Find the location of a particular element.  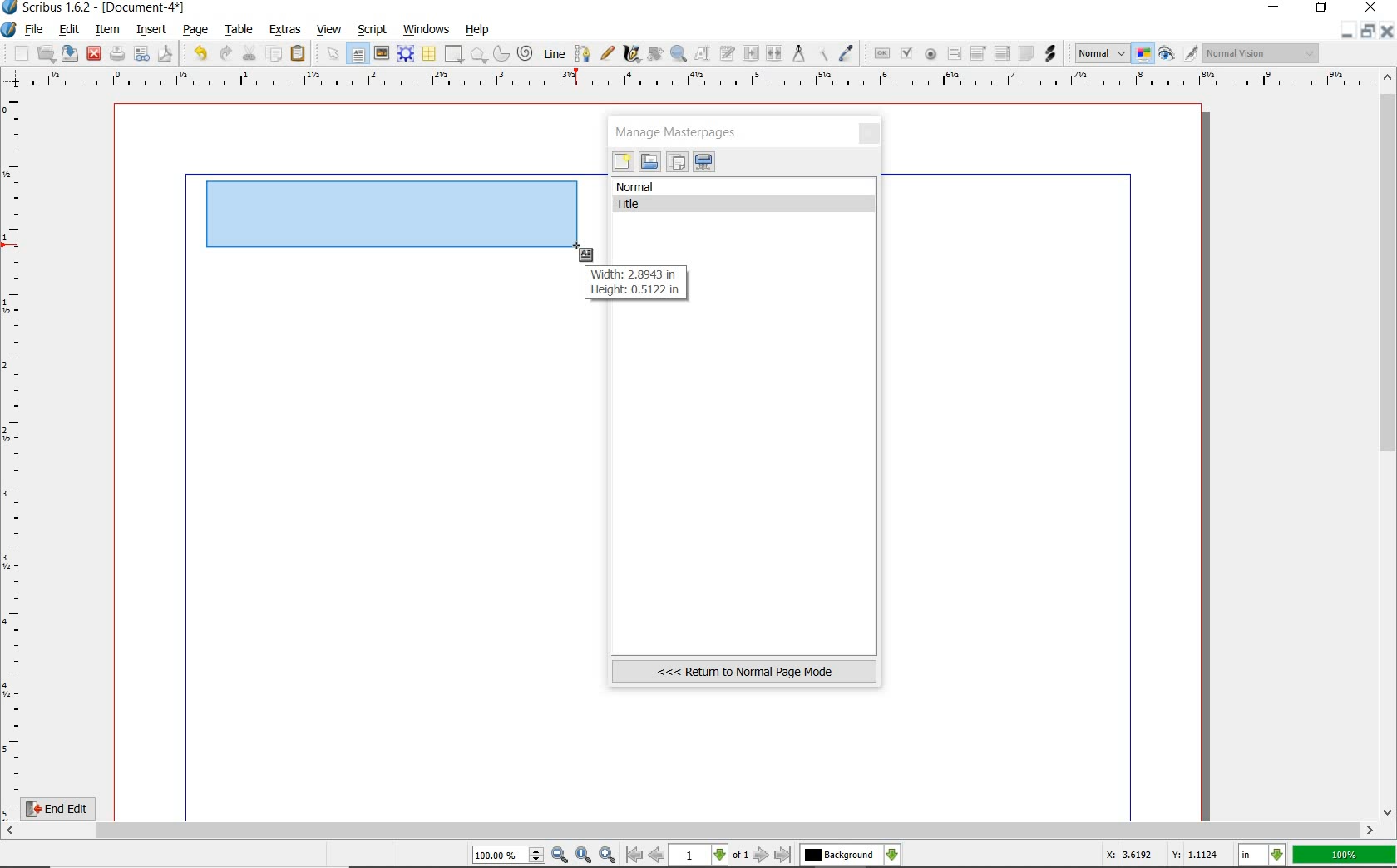

preflight verifier is located at coordinates (142, 55).